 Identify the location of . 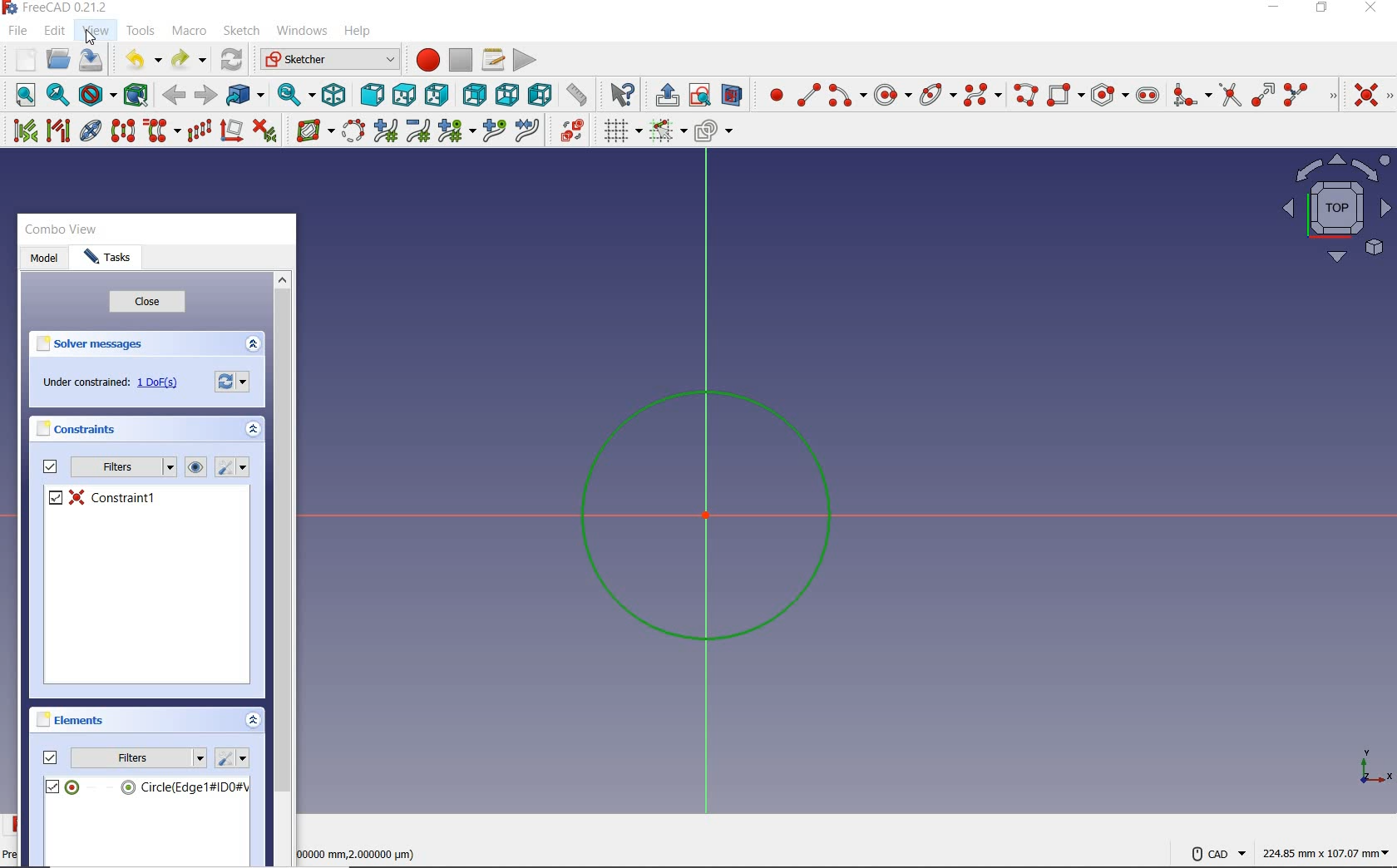
(667, 129).